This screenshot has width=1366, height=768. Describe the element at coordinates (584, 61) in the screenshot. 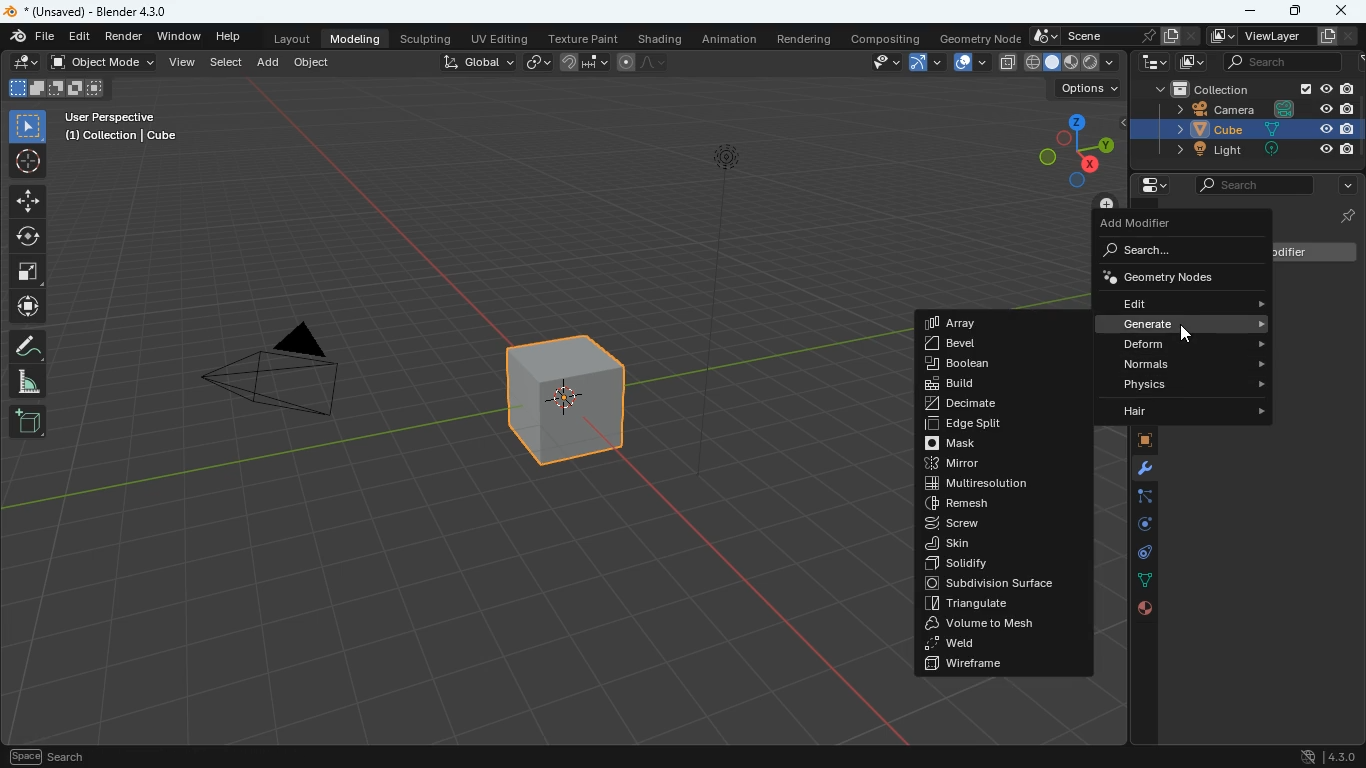

I see `join` at that location.